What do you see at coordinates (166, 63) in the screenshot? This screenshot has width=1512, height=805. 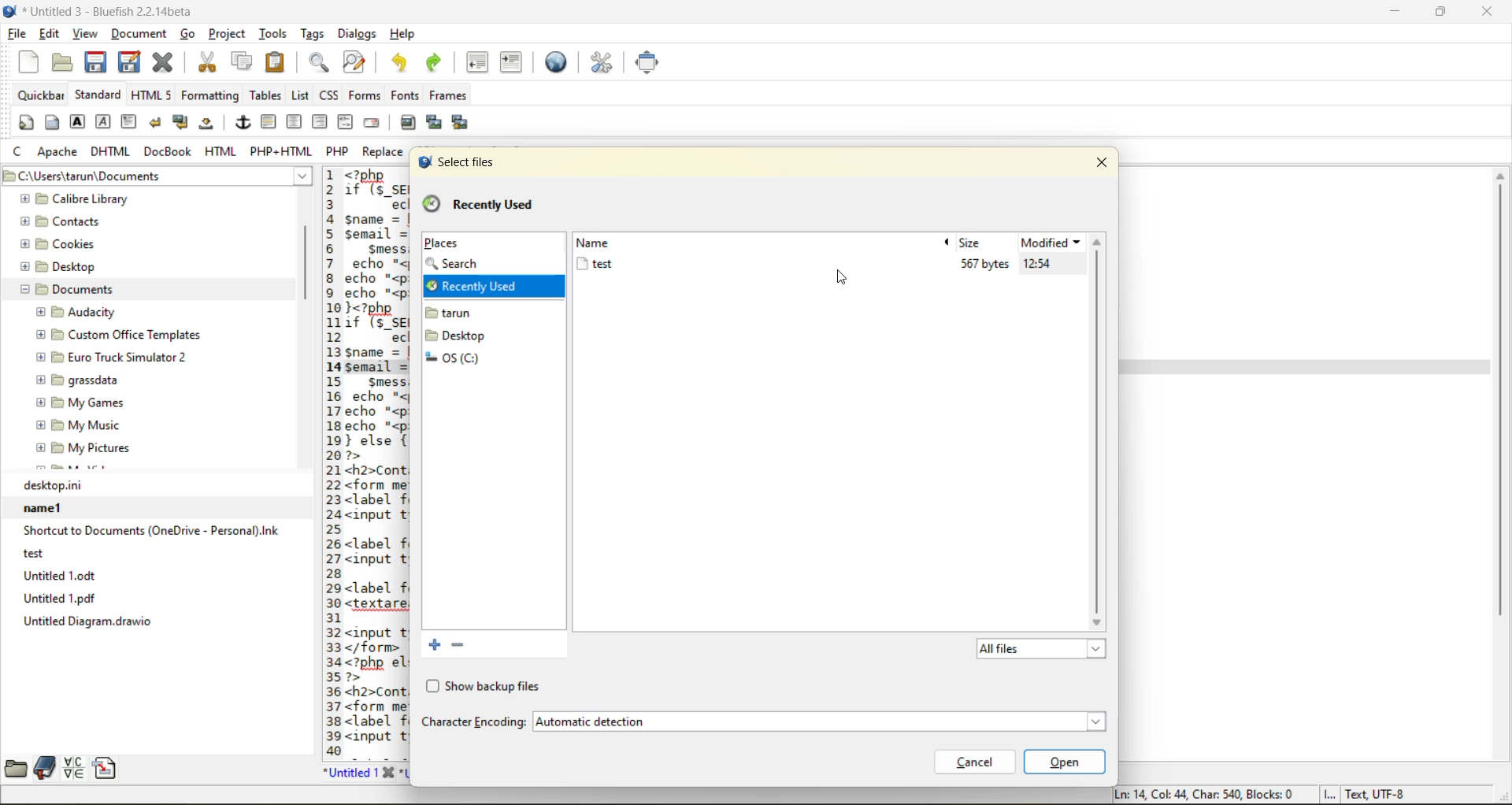 I see `close current file` at bounding box center [166, 63].